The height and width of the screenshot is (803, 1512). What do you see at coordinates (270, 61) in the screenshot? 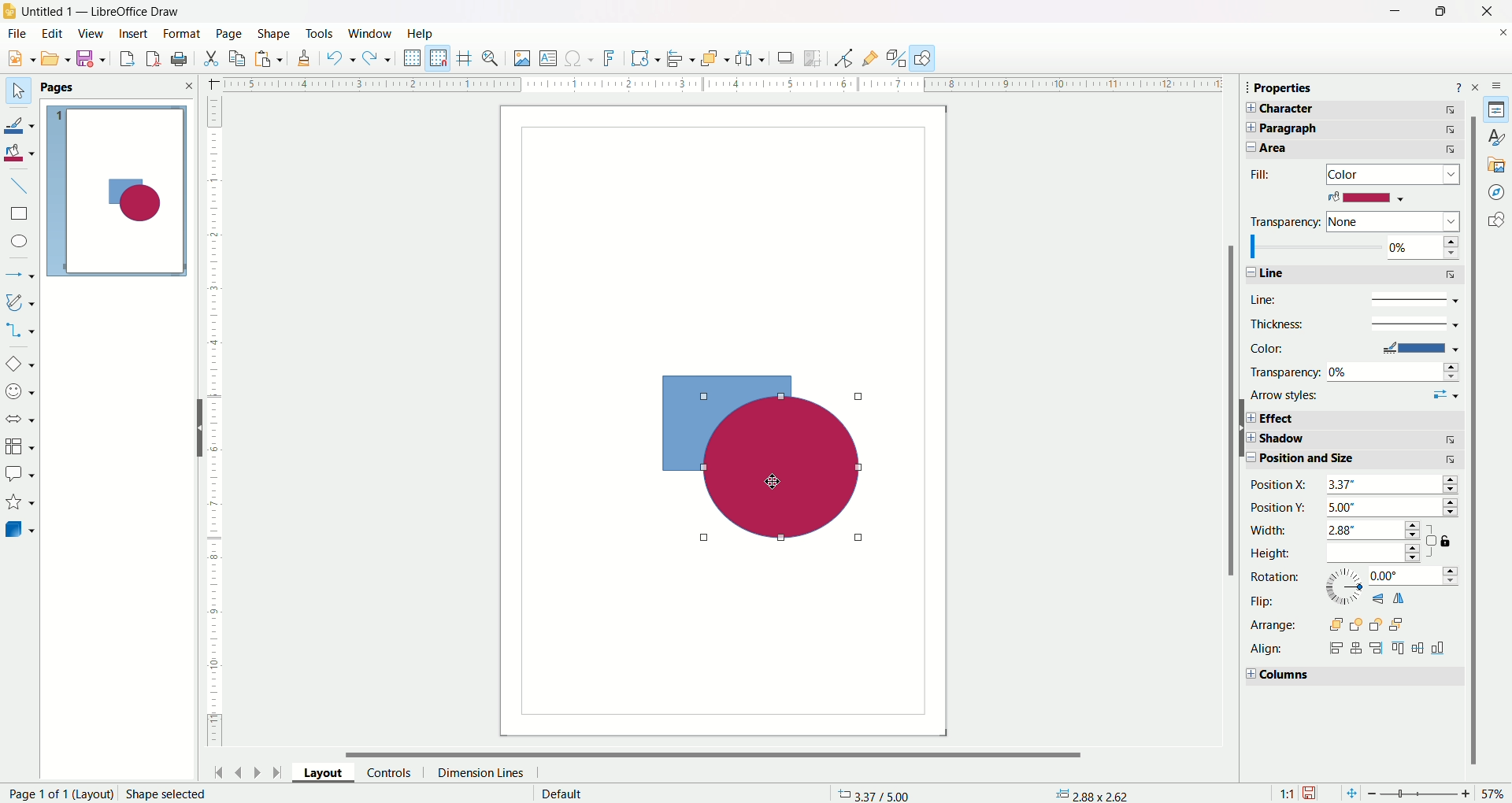
I see `paste` at bounding box center [270, 61].